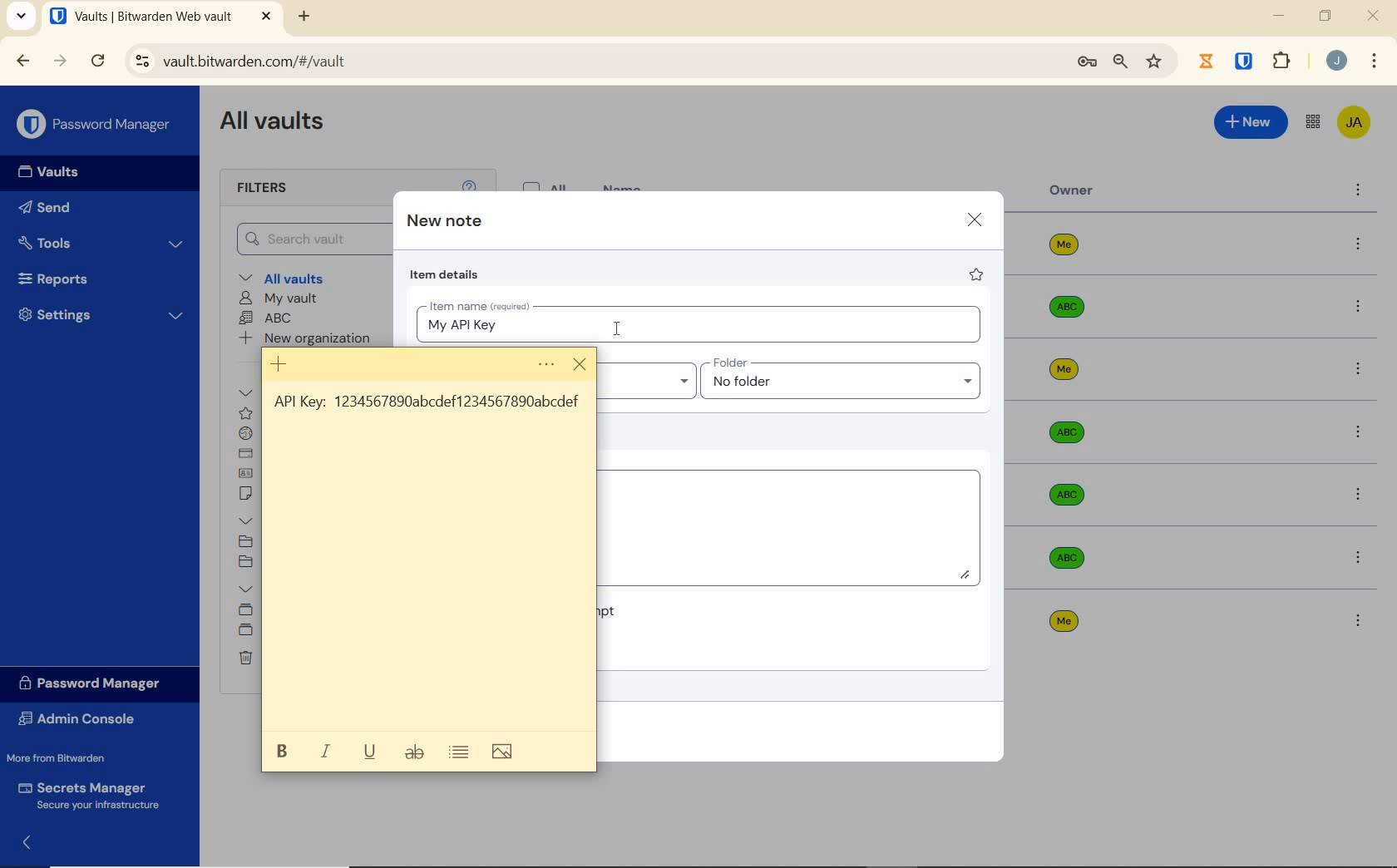 The width and height of the screenshot is (1397, 868). What do you see at coordinates (478, 303) in the screenshot?
I see `Item name (required)` at bounding box center [478, 303].